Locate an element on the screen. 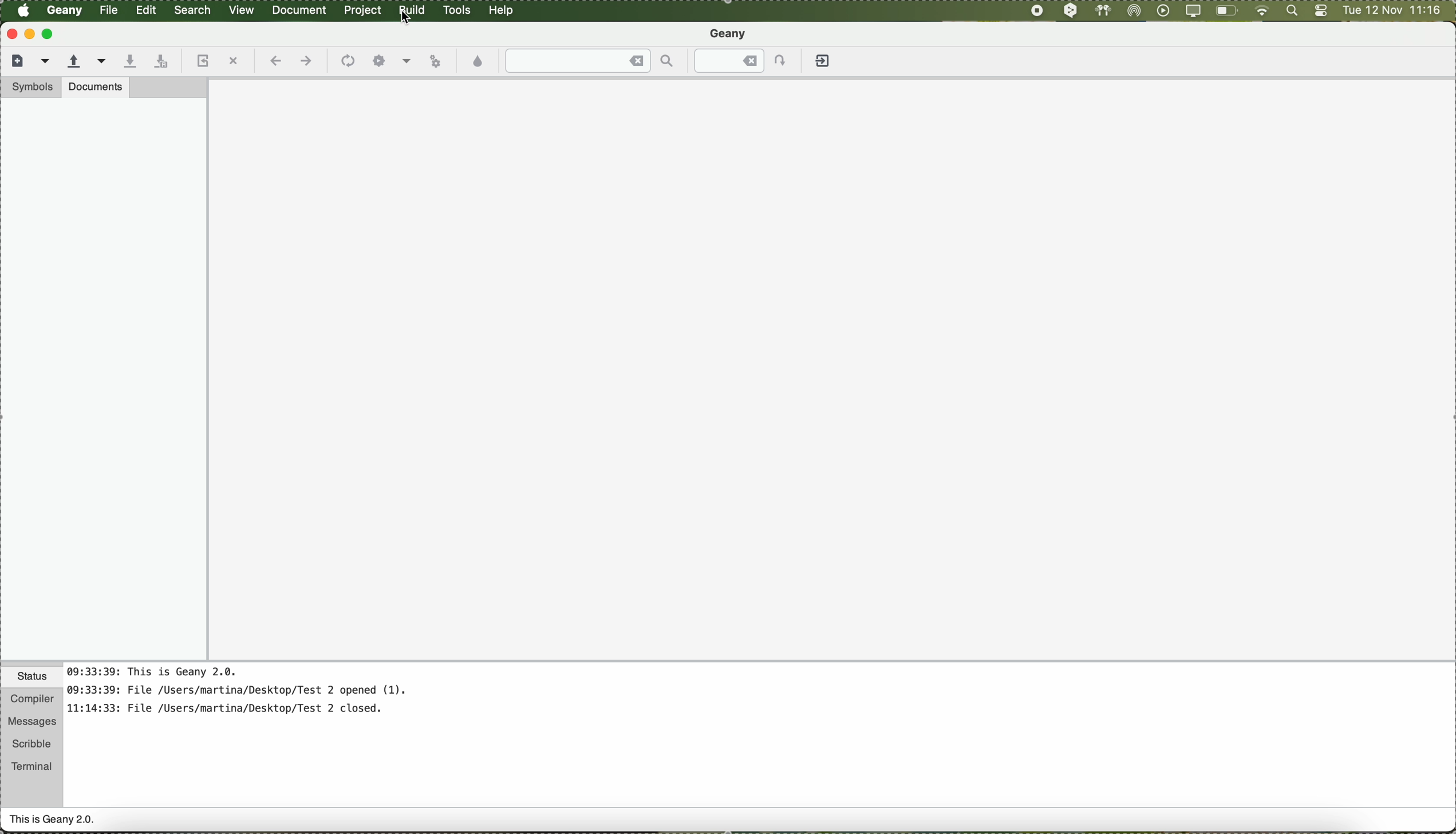  find the entered text in the current file is located at coordinates (590, 61).